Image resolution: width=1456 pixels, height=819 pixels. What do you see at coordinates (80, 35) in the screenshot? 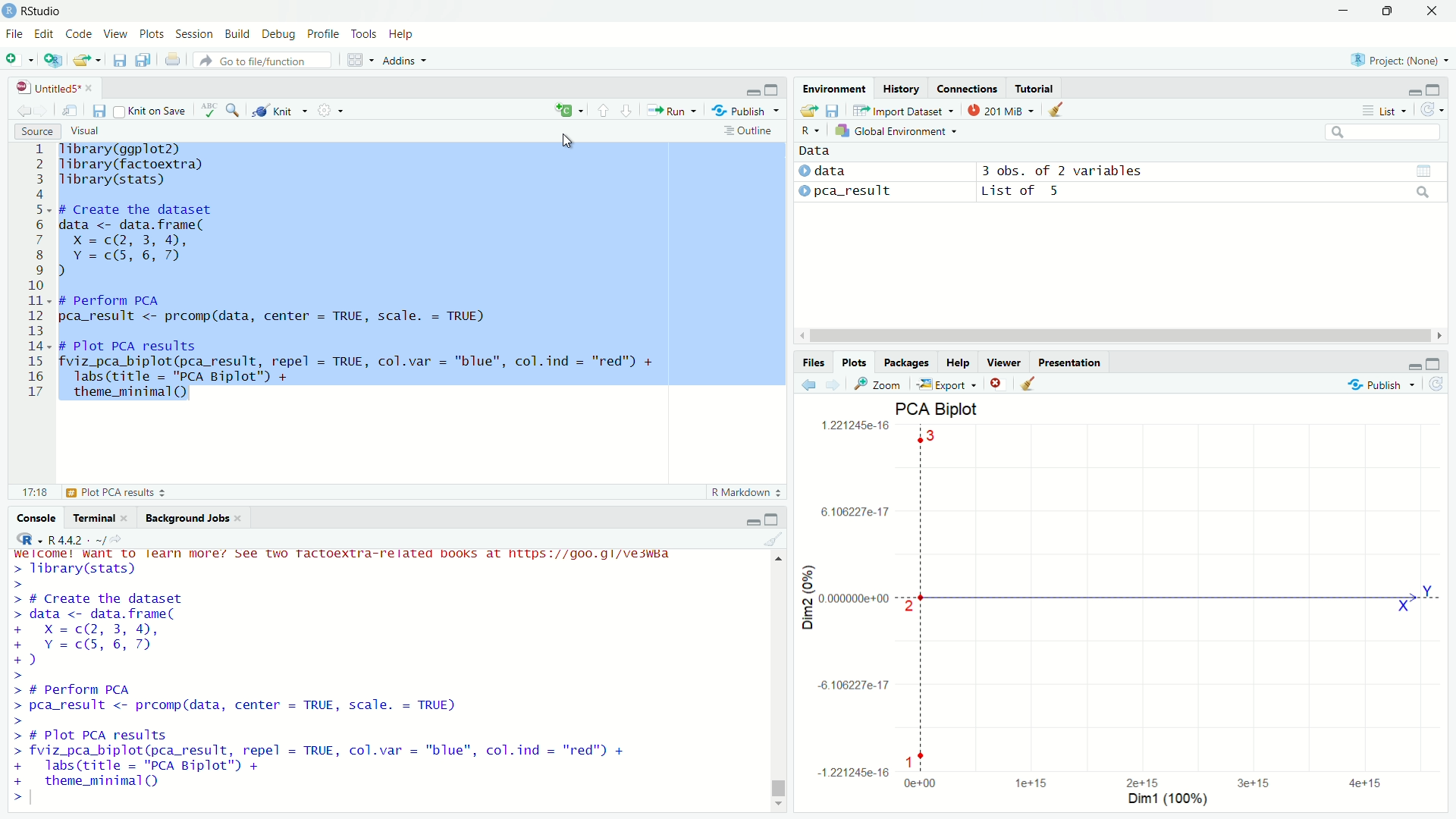
I see `Code` at bounding box center [80, 35].